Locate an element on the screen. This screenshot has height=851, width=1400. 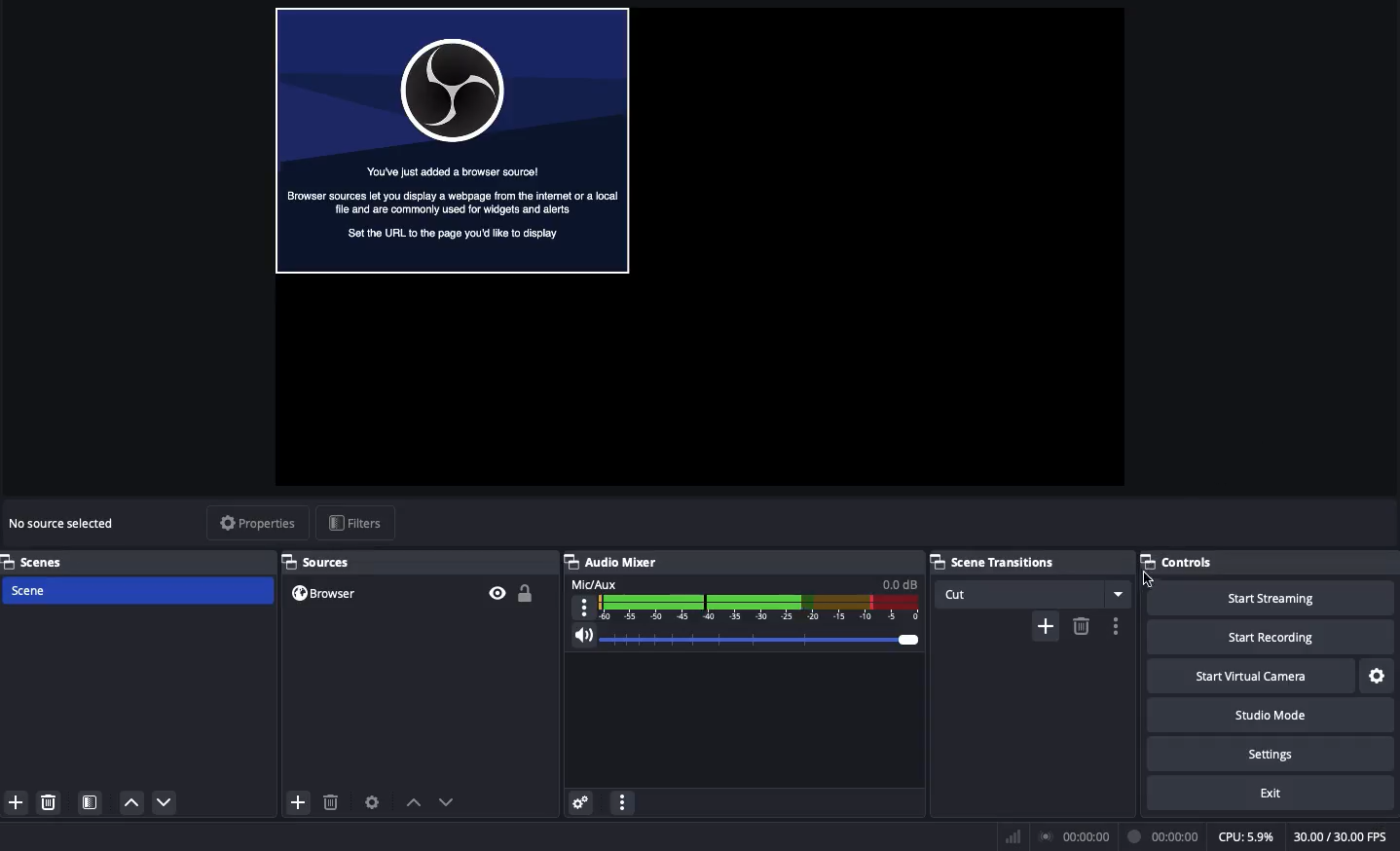
Sources preferences is located at coordinates (375, 800).